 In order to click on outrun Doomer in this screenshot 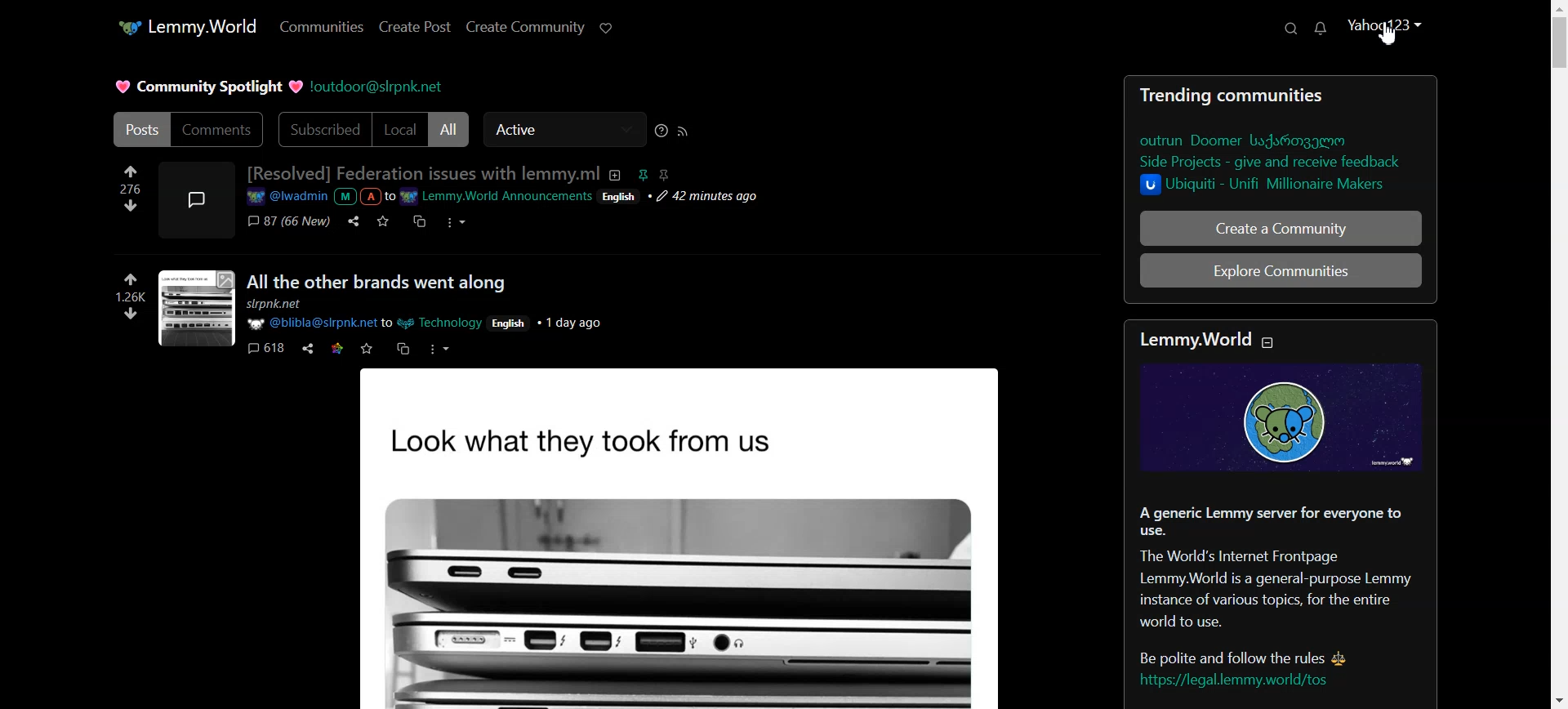, I will do `click(1247, 140)`.